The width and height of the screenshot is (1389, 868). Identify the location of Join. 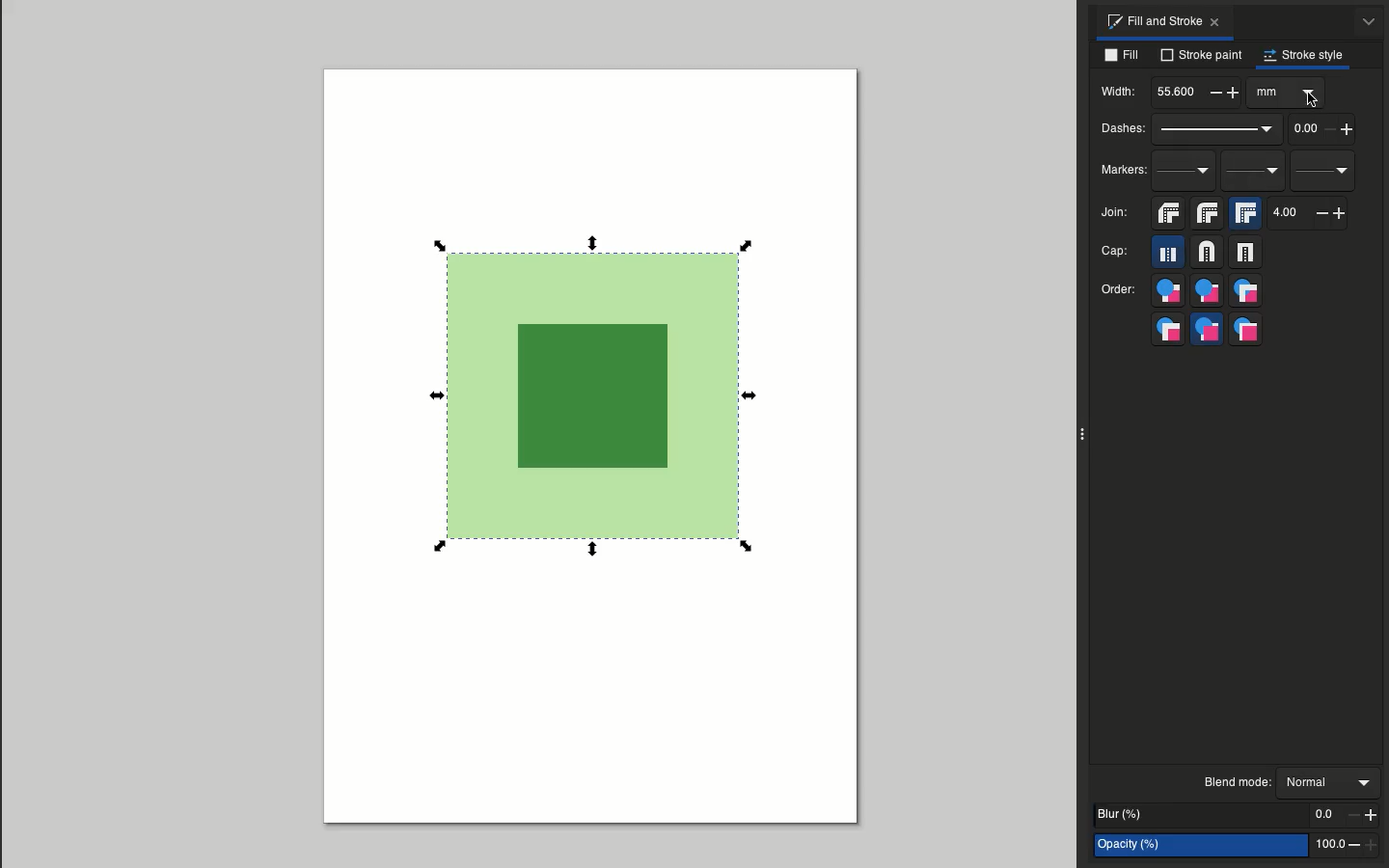
(1113, 214).